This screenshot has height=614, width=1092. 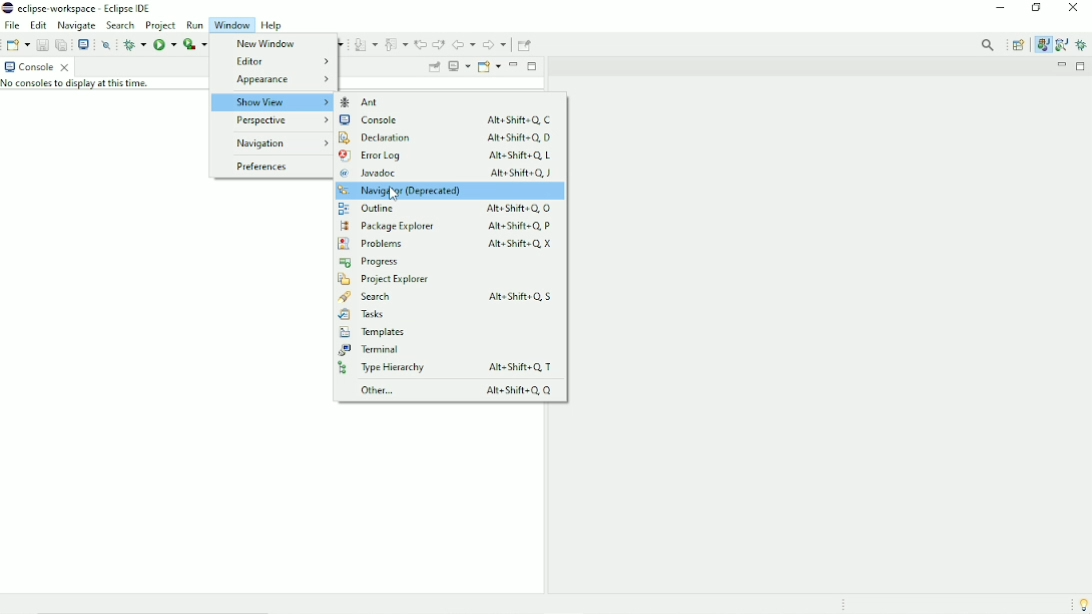 I want to click on Java, so click(x=1043, y=45).